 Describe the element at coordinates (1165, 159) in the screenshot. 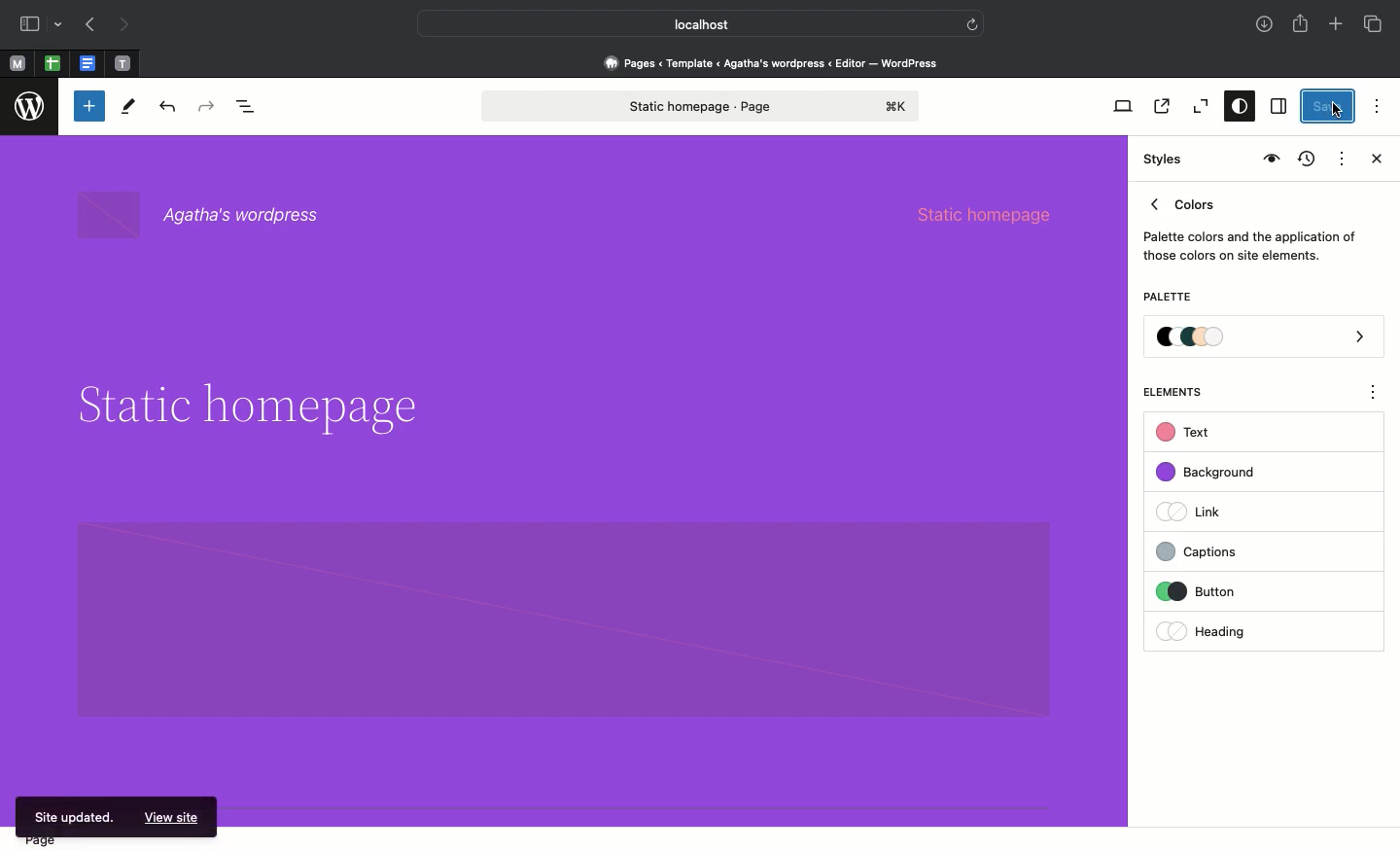

I see `Styles` at that location.